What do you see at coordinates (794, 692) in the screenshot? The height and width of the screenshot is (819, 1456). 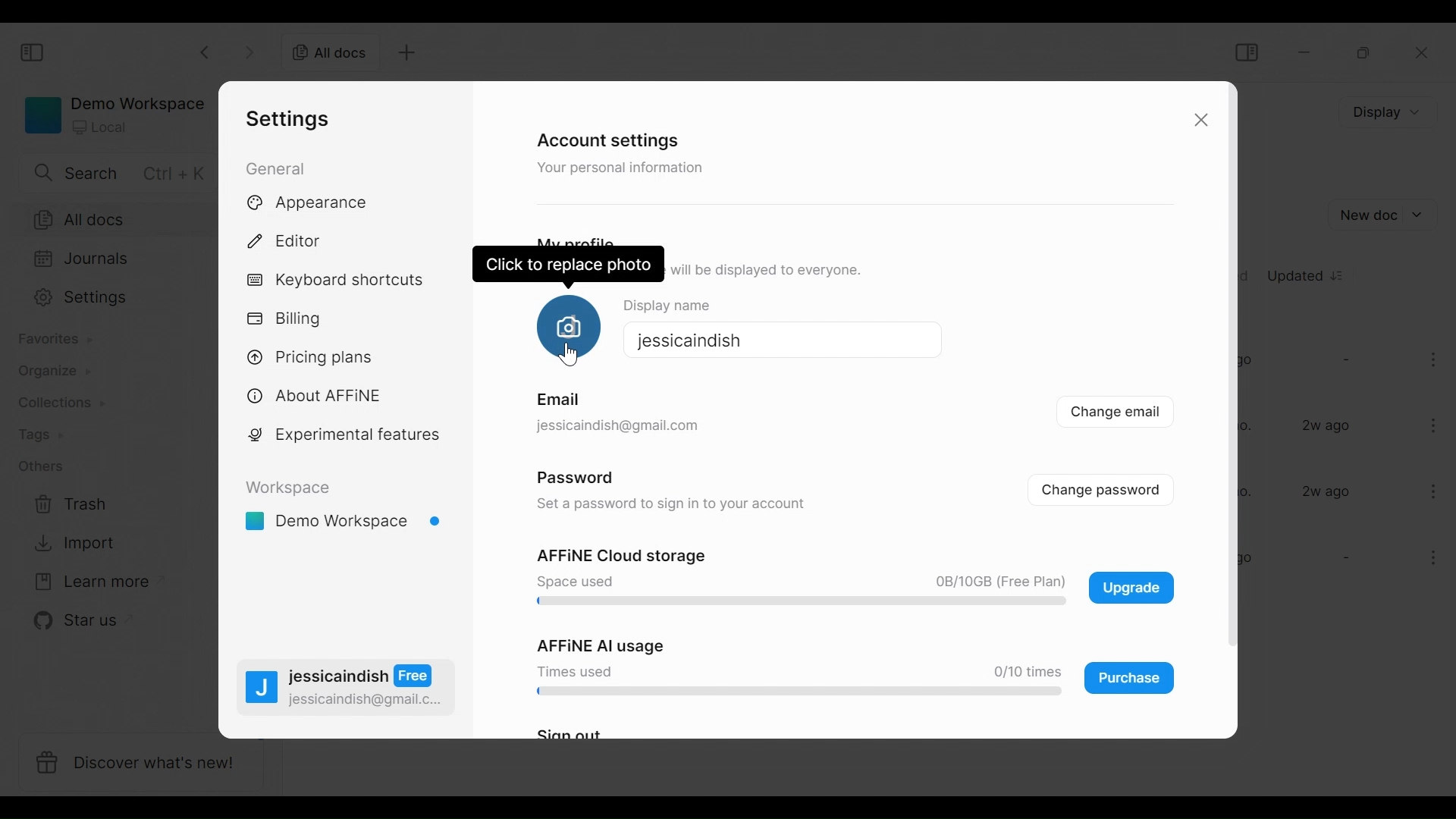 I see `progress bar` at bounding box center [794, 692].